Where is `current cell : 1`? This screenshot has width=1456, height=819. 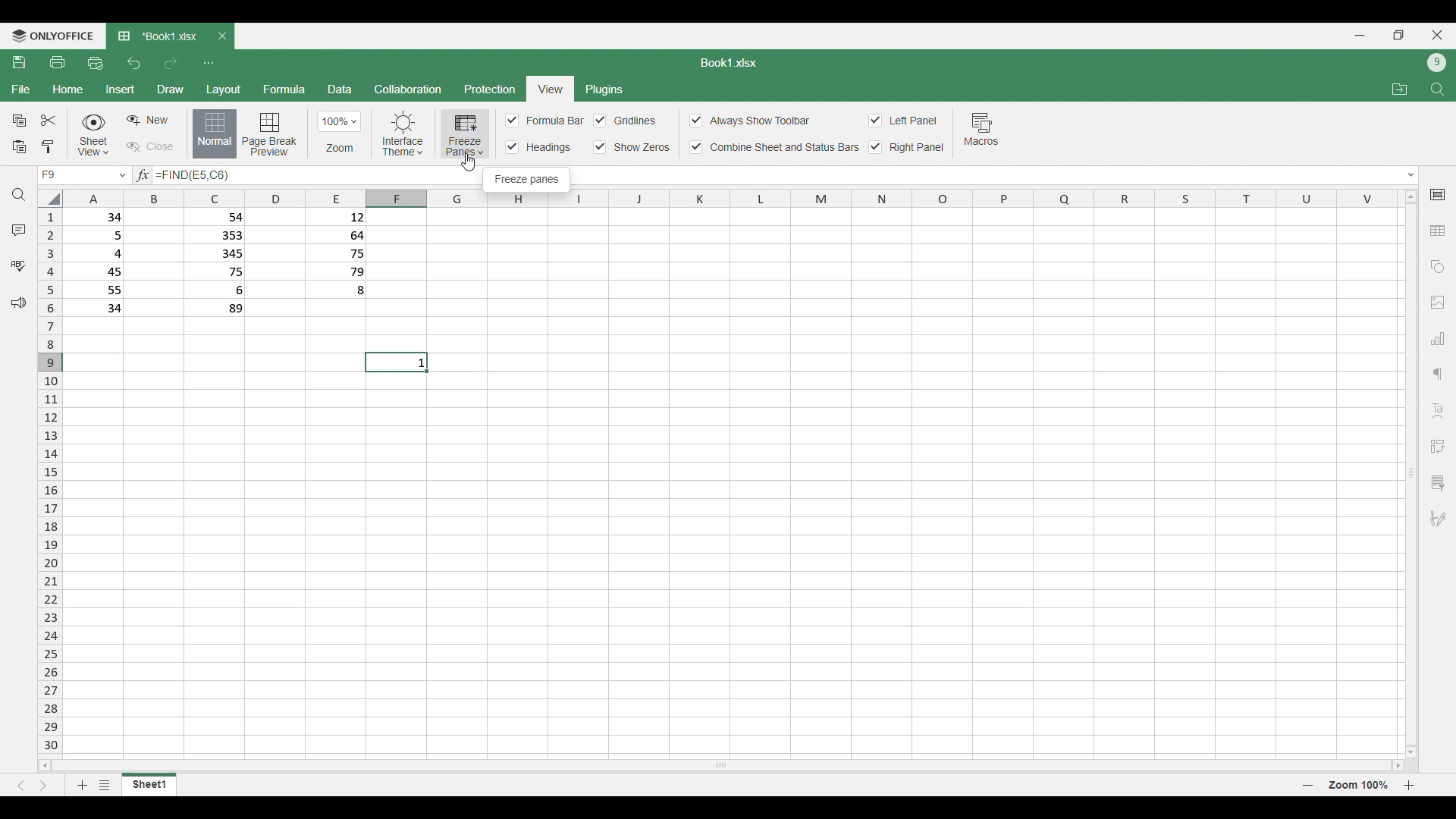 current cell : 1 is located at coordinates (397, 361).